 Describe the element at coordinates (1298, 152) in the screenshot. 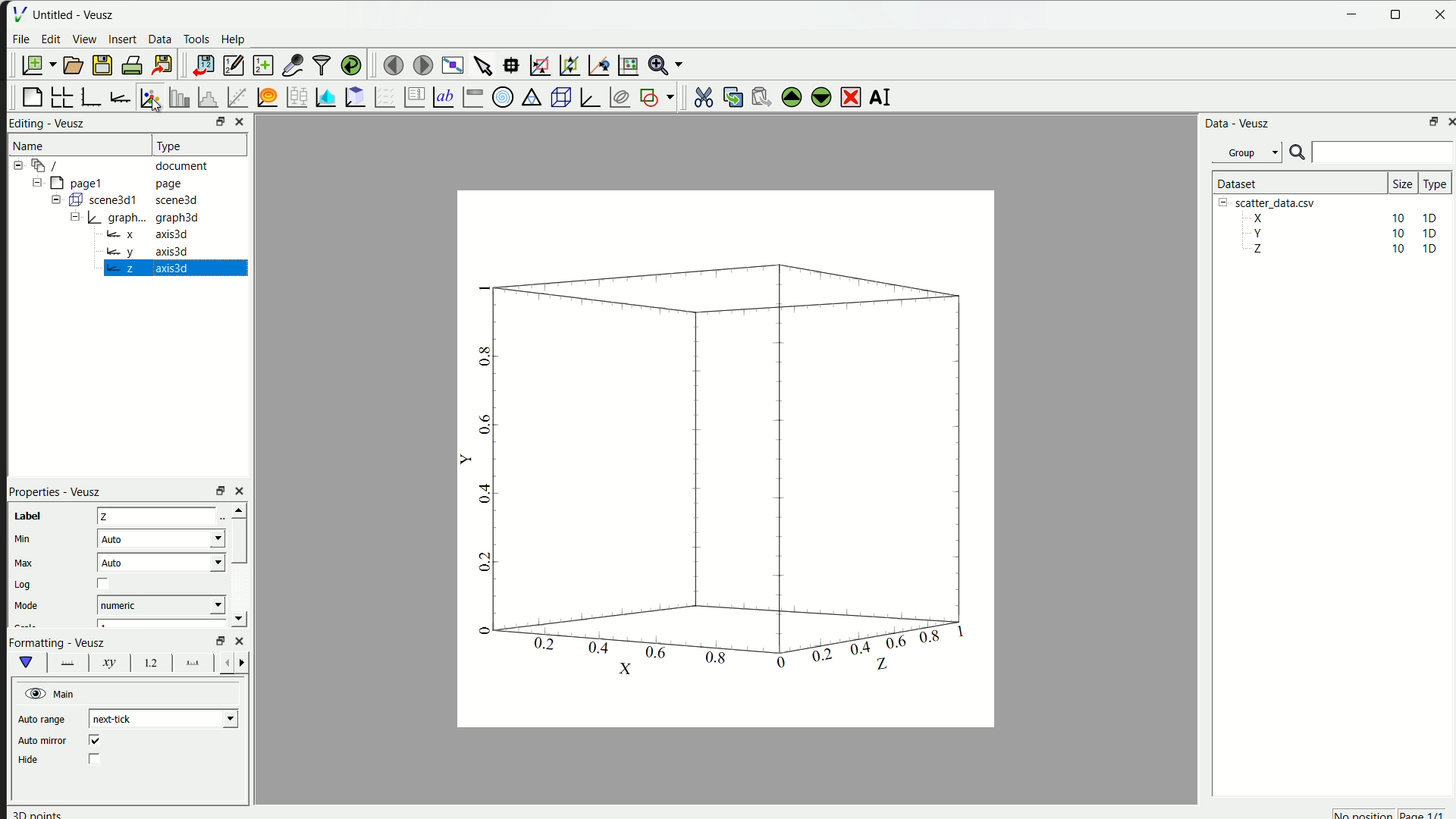

I see `search icon` at that location.